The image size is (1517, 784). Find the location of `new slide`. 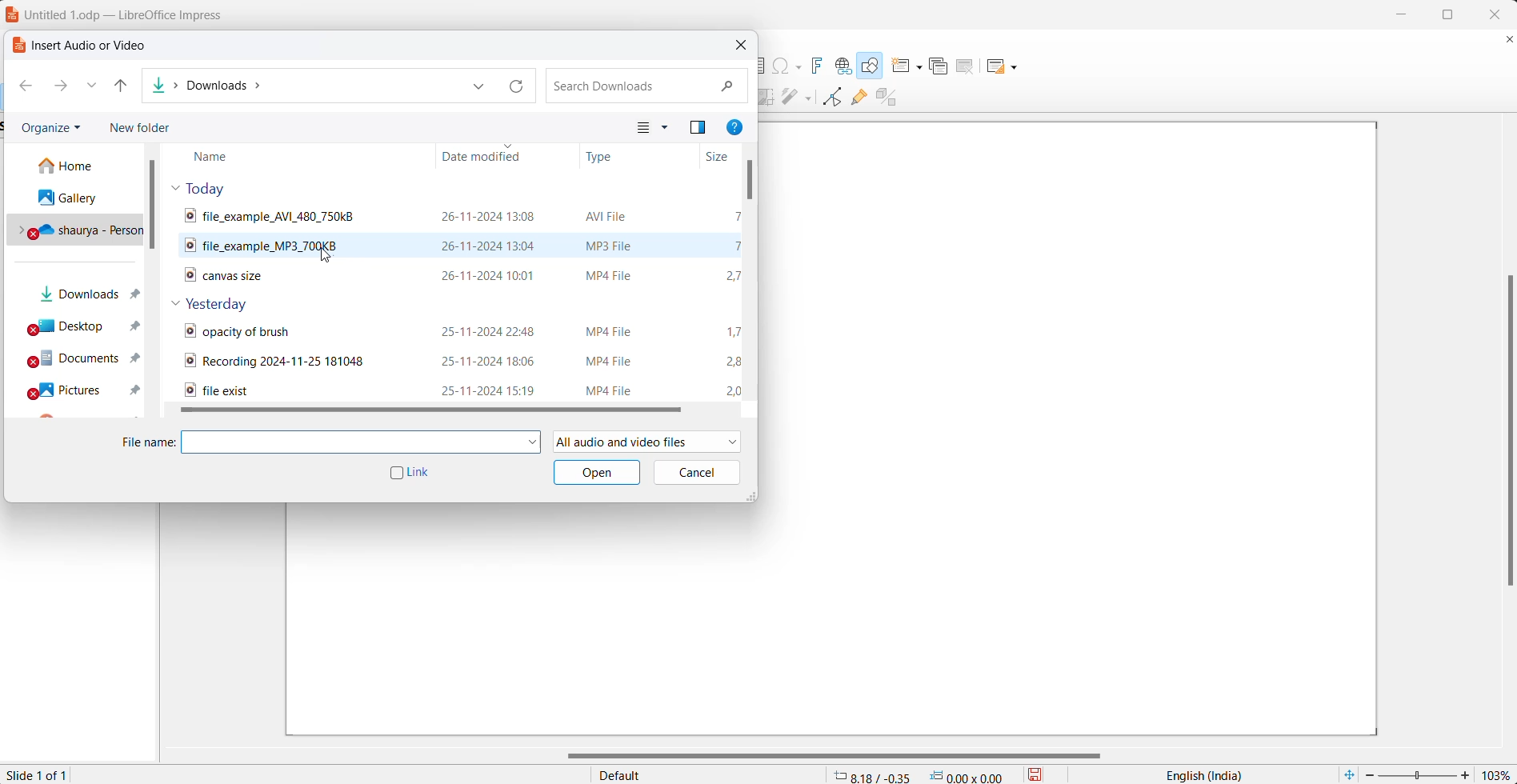

new slide is located at coordinates (899, 66).